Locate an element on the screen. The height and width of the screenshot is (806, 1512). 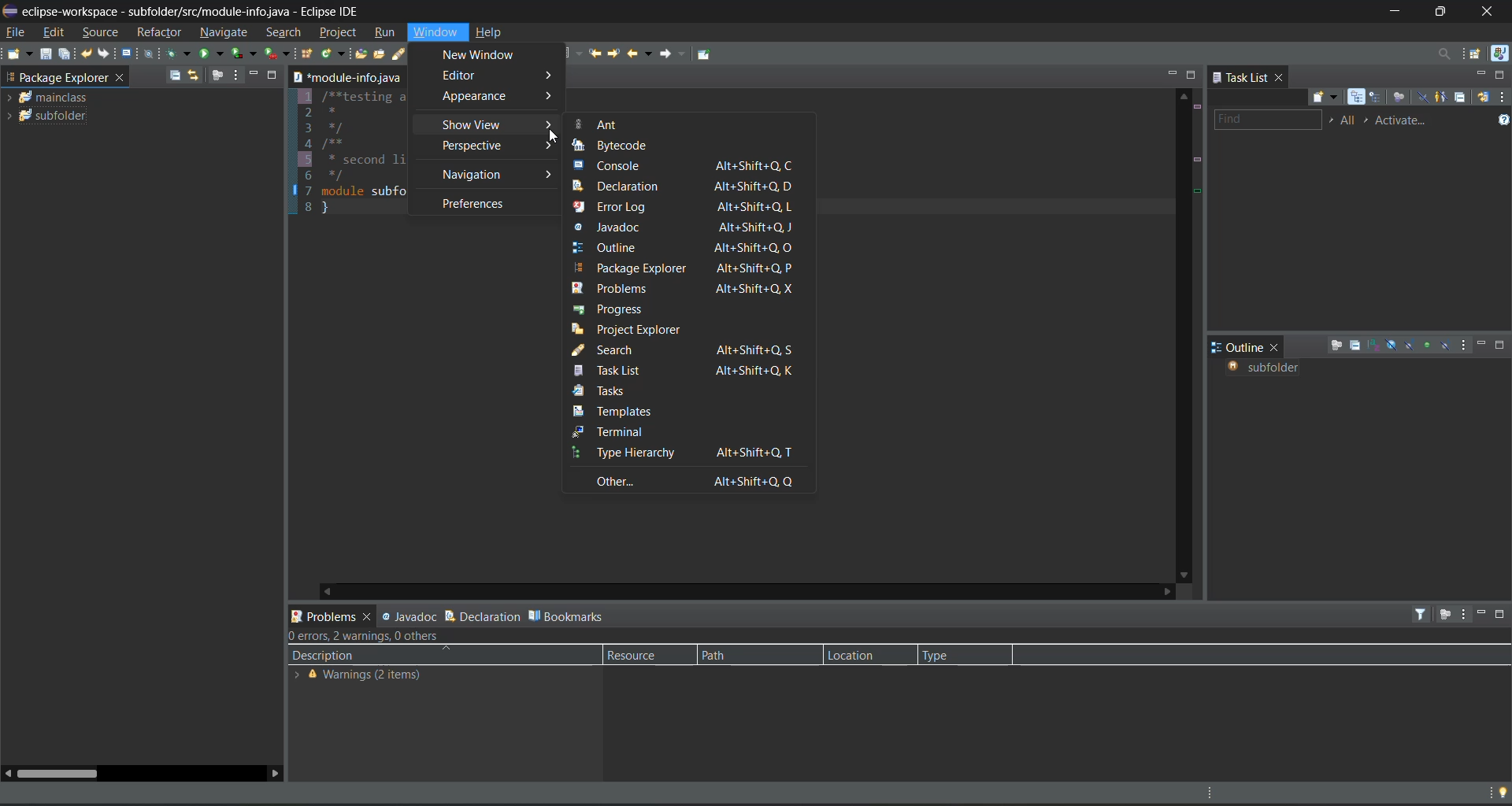
close is located at coordinates (1280, 76).